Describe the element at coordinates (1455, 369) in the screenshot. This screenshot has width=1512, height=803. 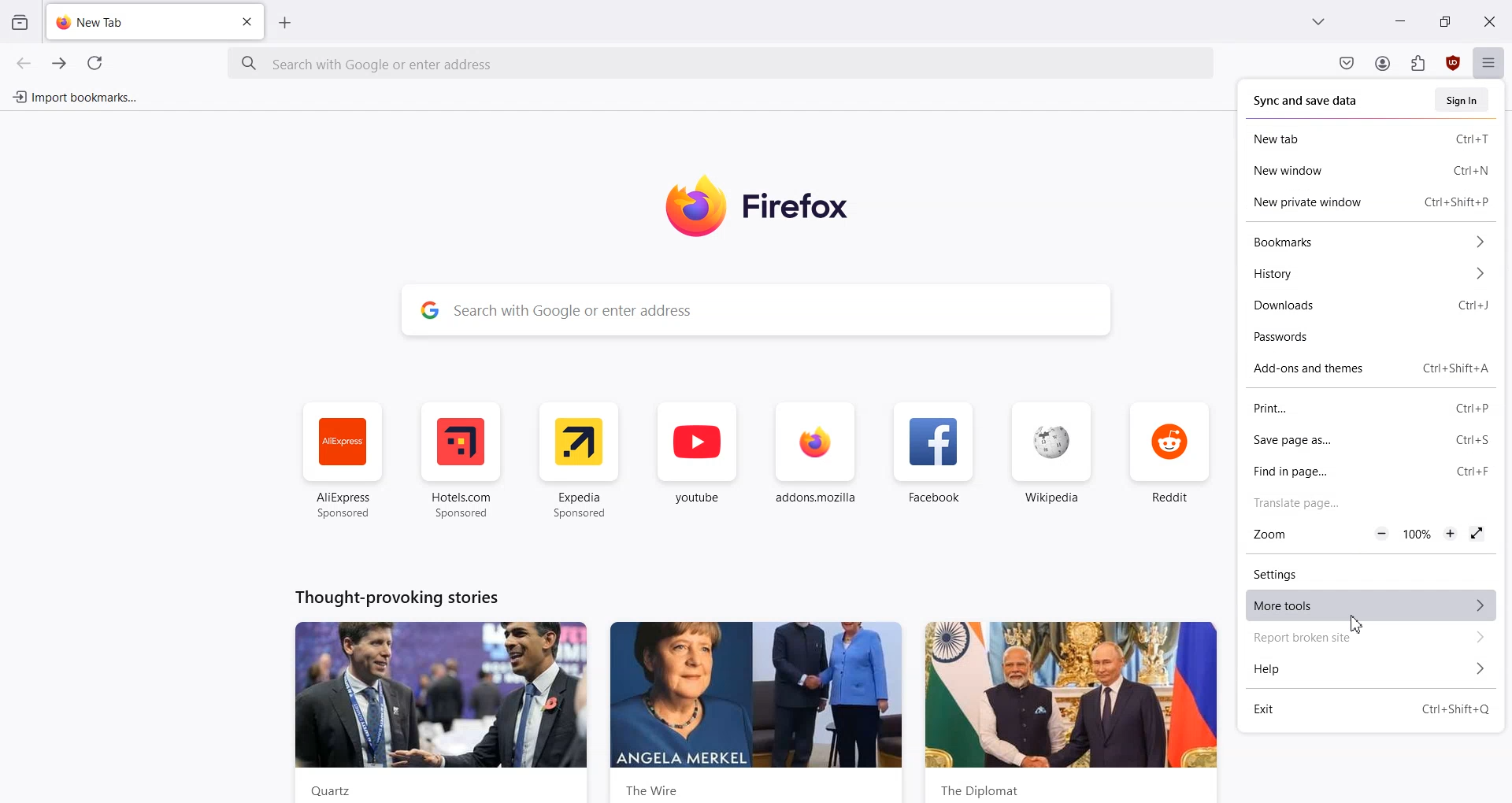
I see `Shortcut key` at that location.